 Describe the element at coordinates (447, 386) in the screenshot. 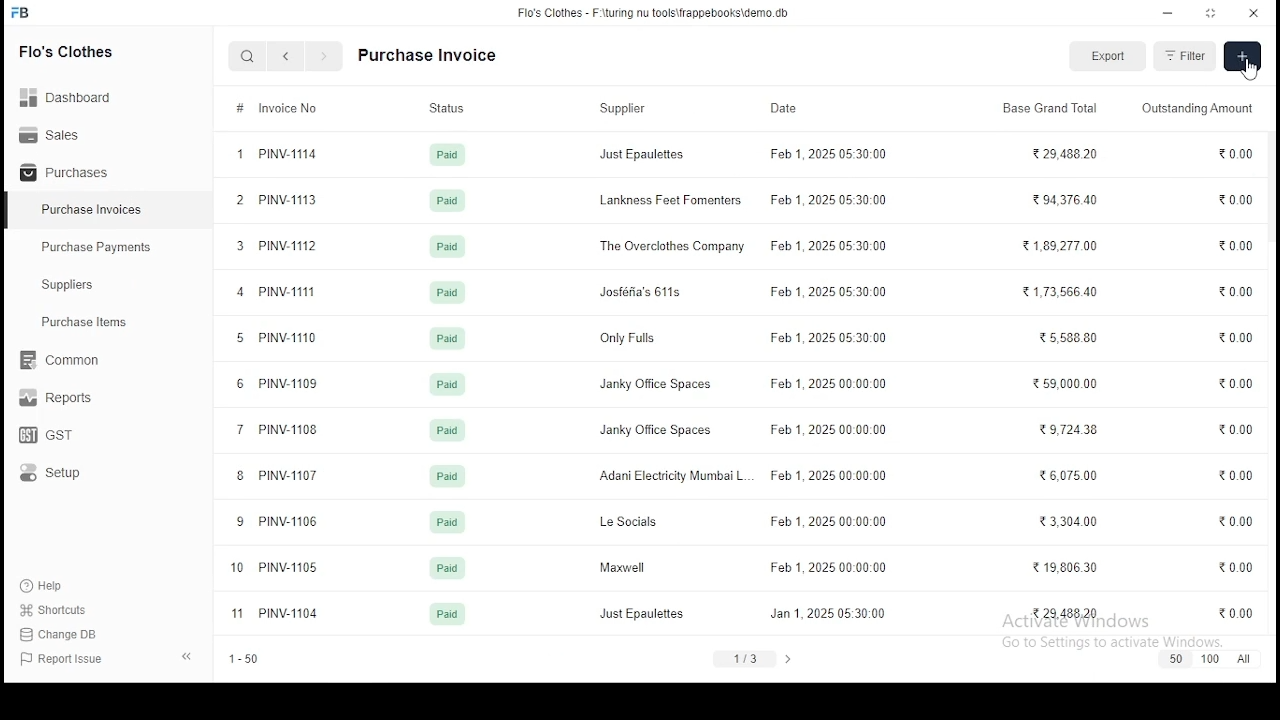

I see `paid` at that location.